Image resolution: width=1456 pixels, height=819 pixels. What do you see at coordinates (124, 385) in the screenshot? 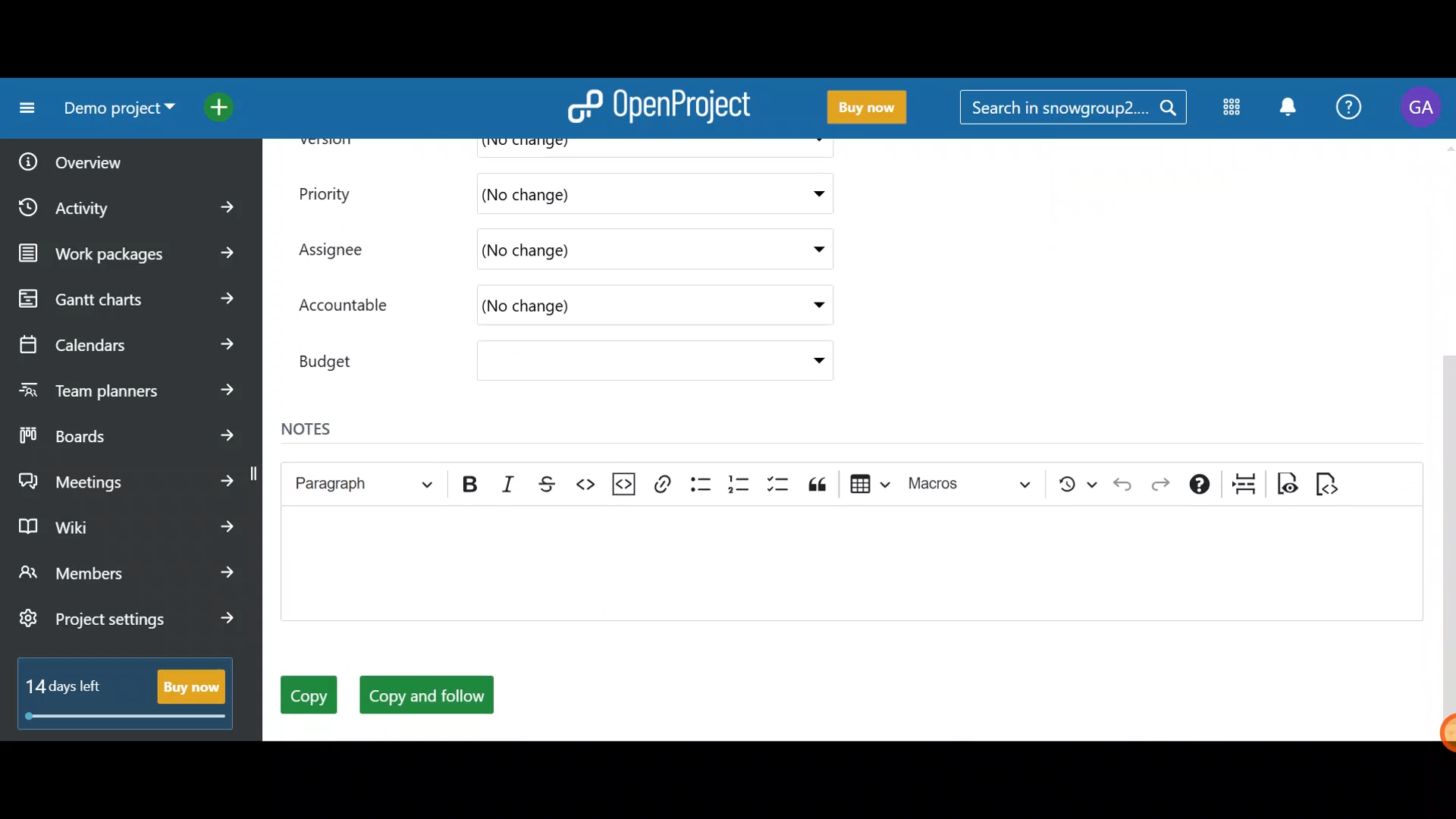
I see `Team planners` at bounding box center [124, 385].